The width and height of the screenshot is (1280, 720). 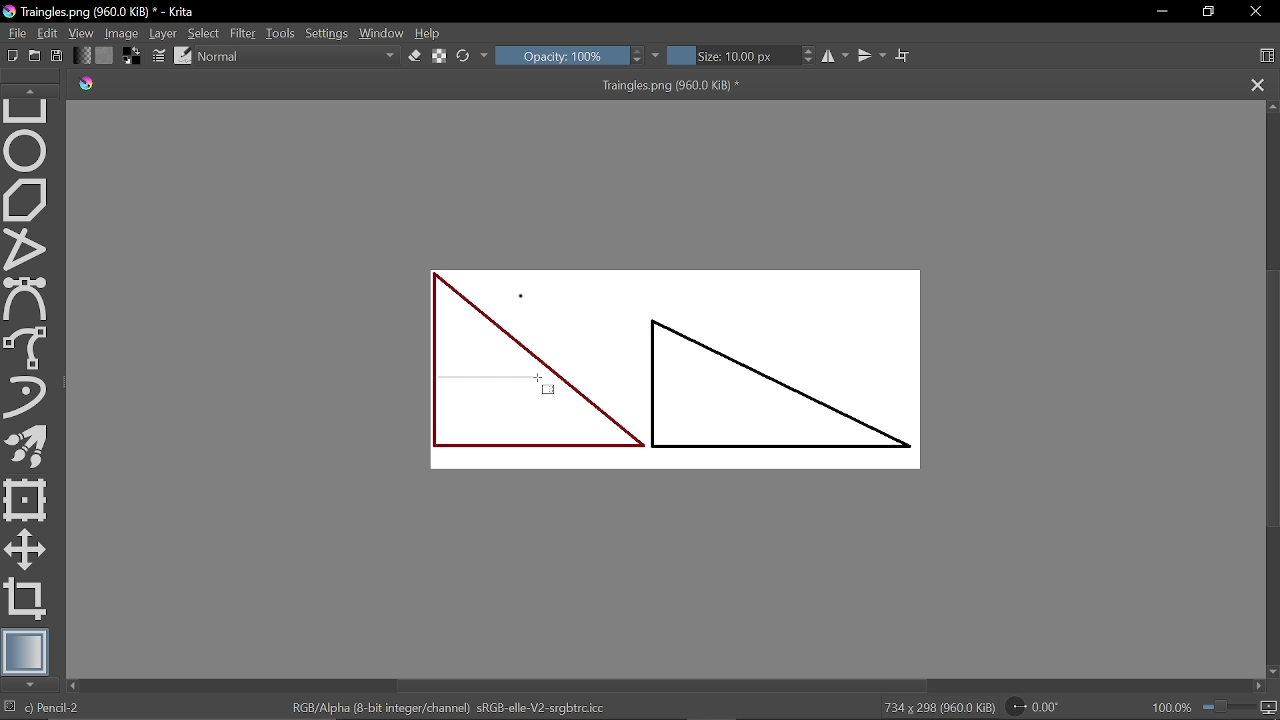 What do you see at coordinates (244, 32) in the screenshot?
I see `Filter` at bounding box center [244, 32].